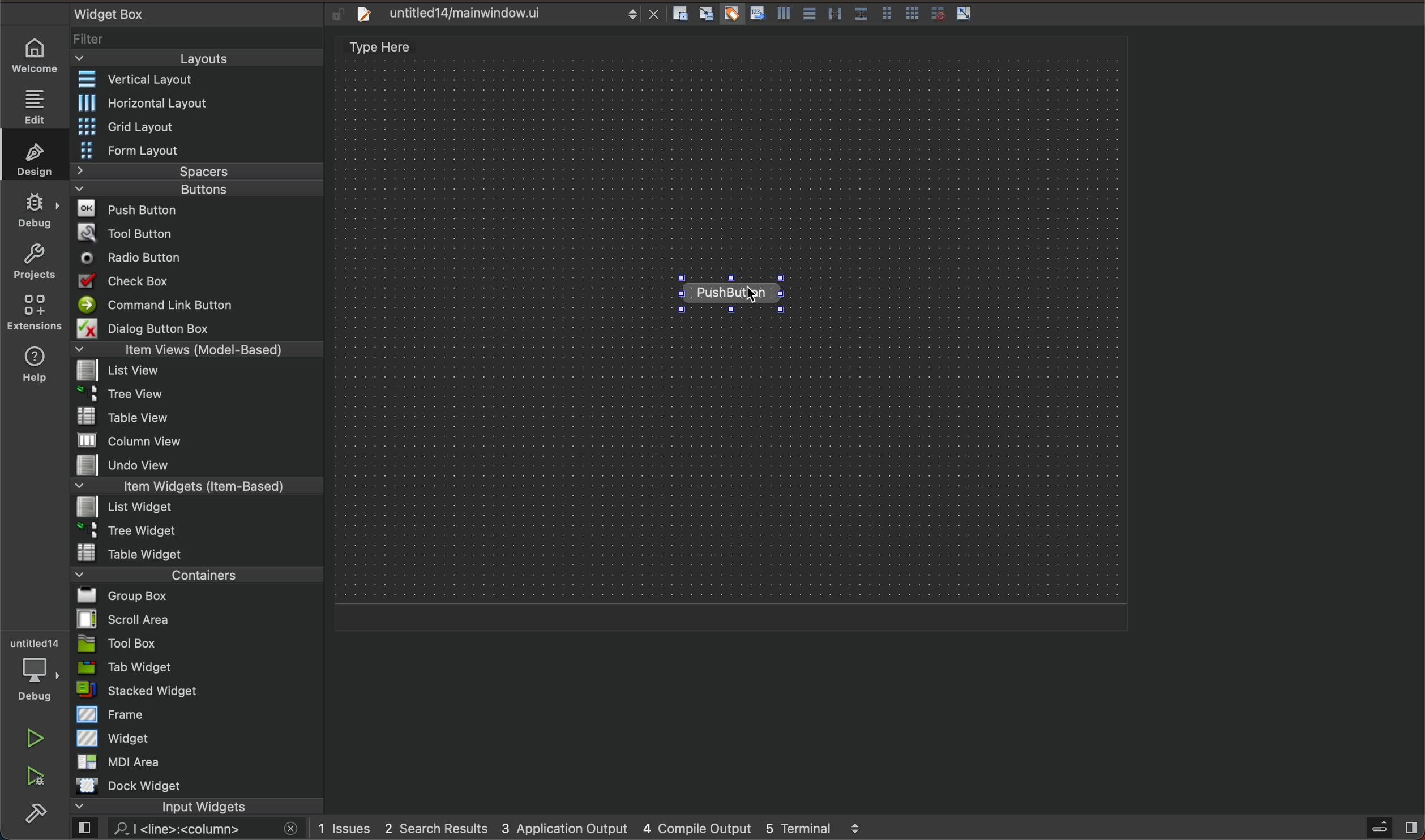  Describe the element at coordinates (198, 716) in the screenshot. I see `frame` at that location.